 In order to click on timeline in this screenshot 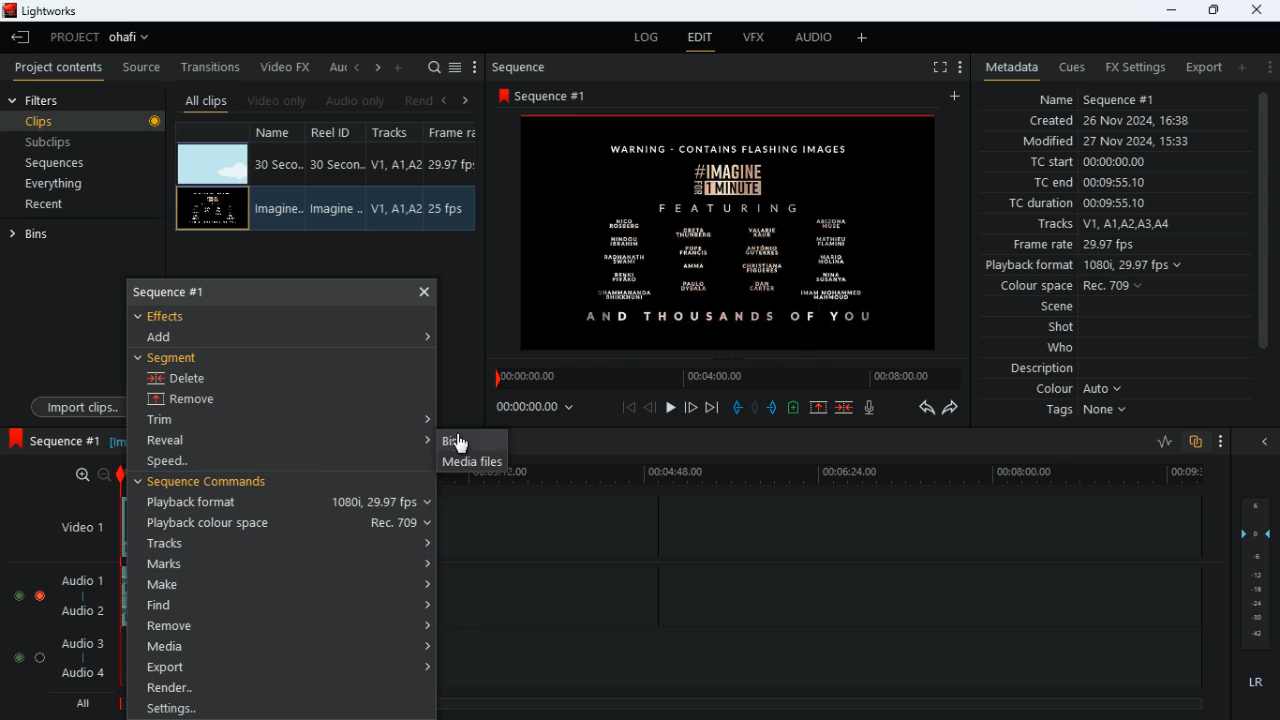, I will do `click(866, 477)`.